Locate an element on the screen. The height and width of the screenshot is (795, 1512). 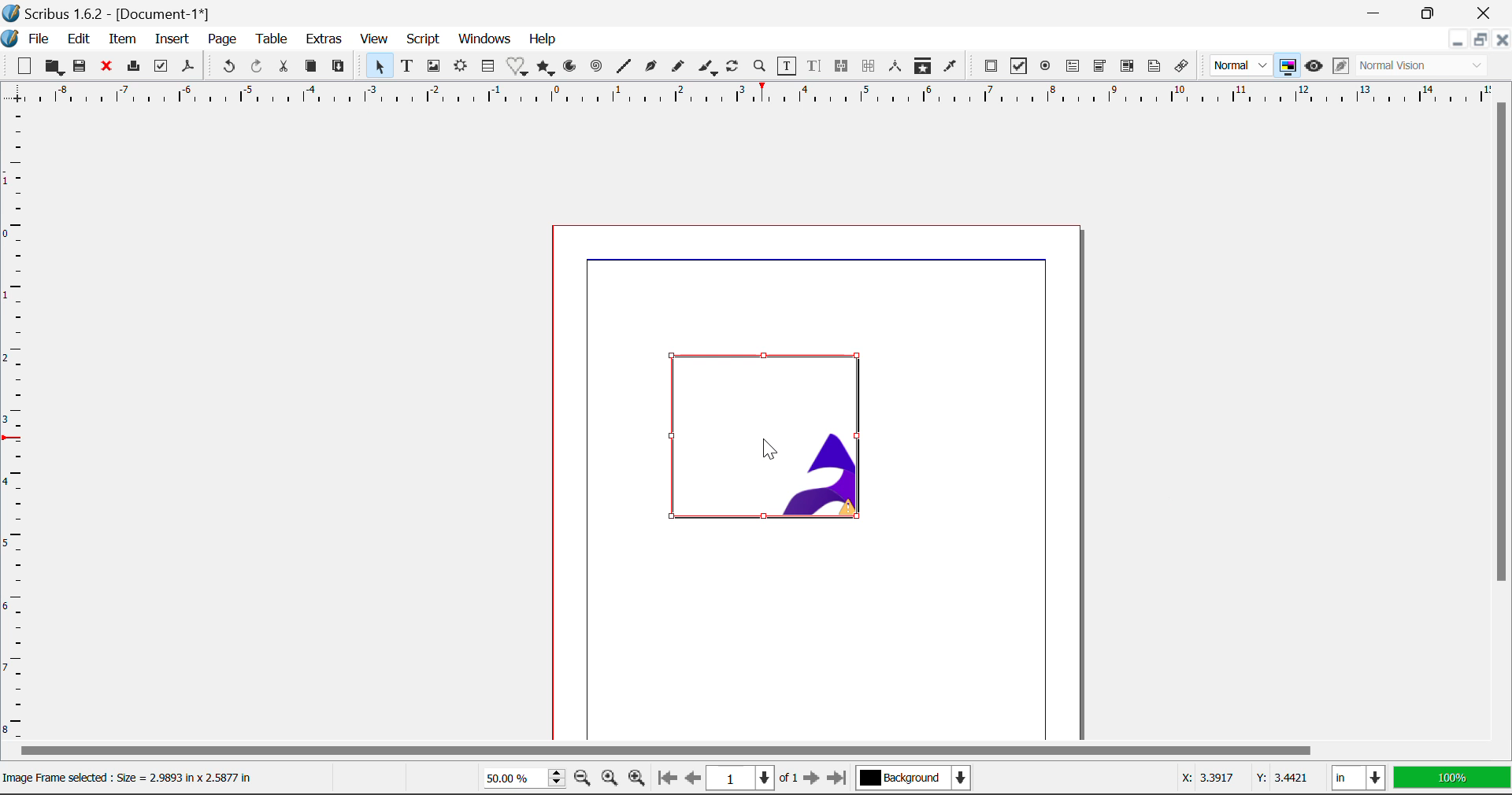
Pdf Push Button is located at coordinates (991, 68).